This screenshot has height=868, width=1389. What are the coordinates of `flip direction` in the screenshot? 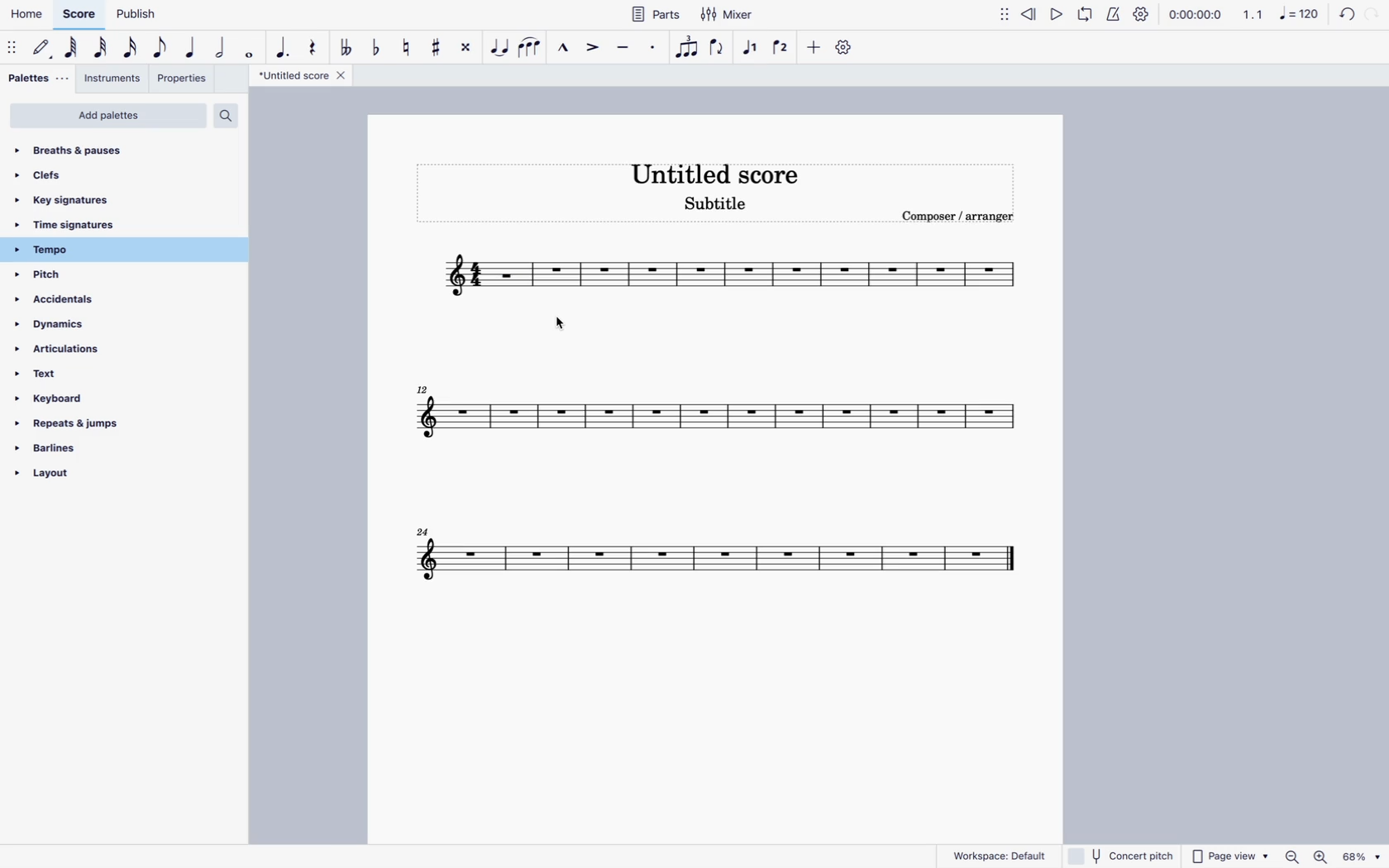 It's located at (718, 46).